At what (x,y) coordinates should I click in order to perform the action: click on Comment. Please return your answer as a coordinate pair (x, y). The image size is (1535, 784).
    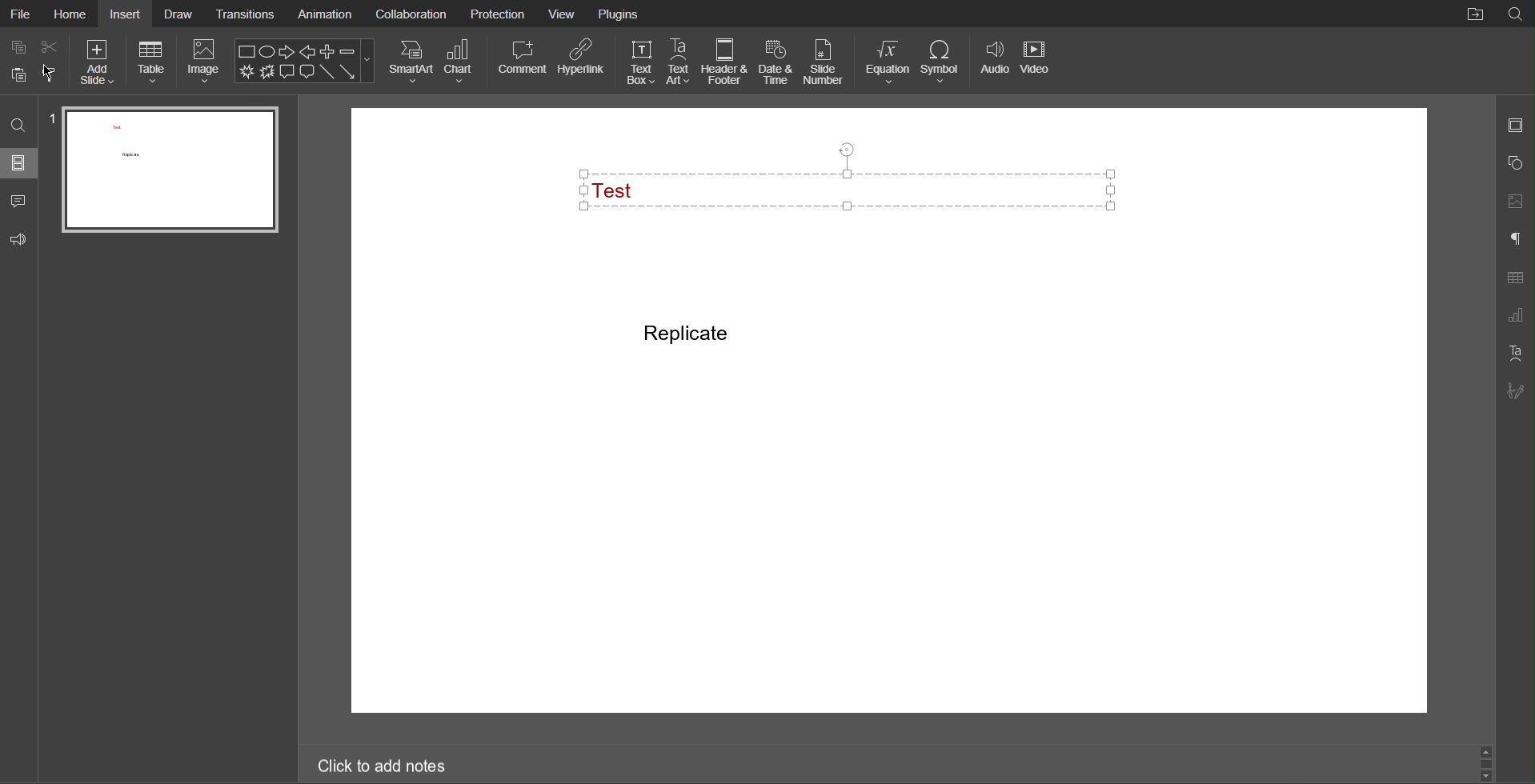
    Looking at the image, I should click on (18, 202).